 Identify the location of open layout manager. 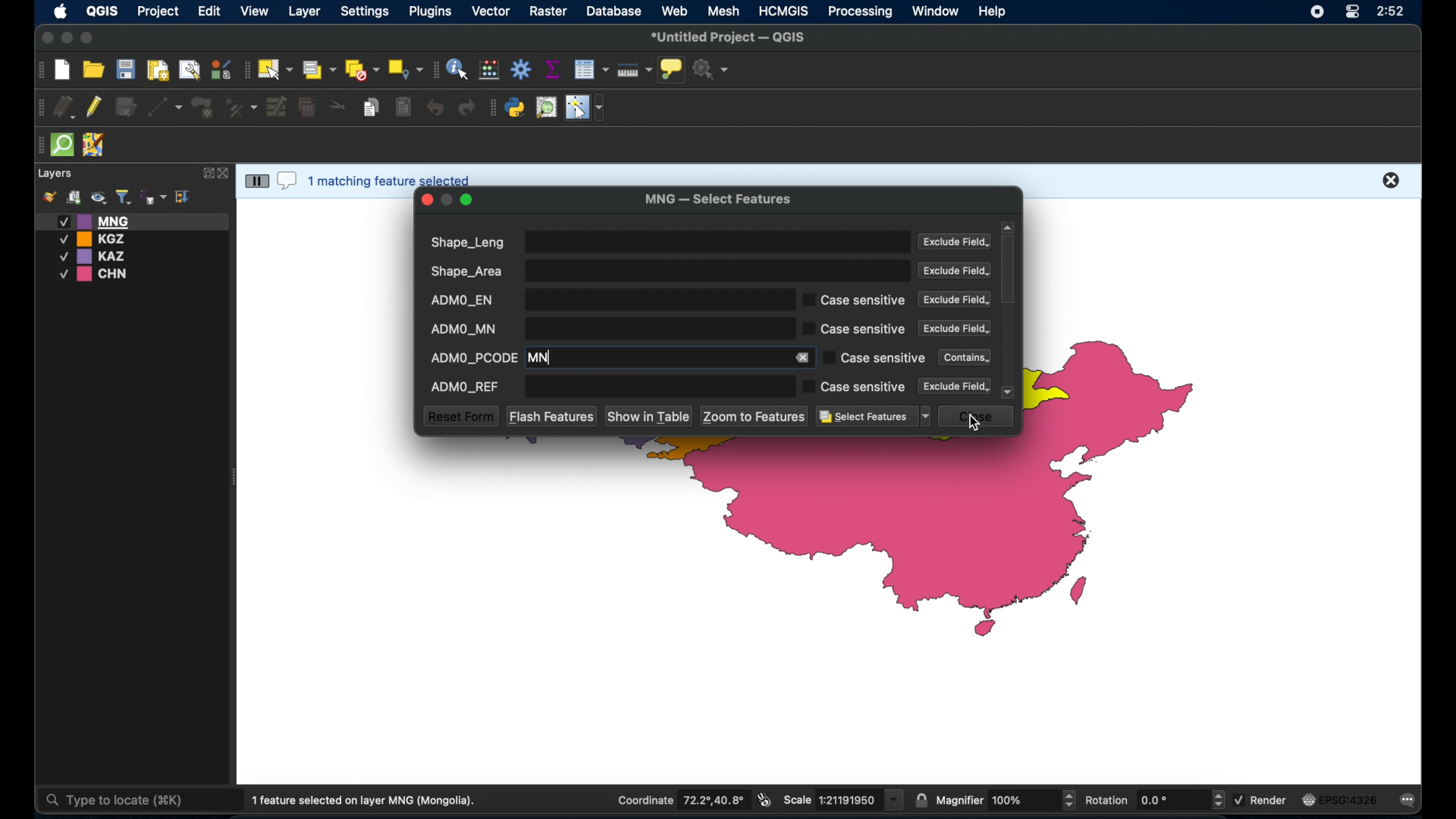
(188, 69).